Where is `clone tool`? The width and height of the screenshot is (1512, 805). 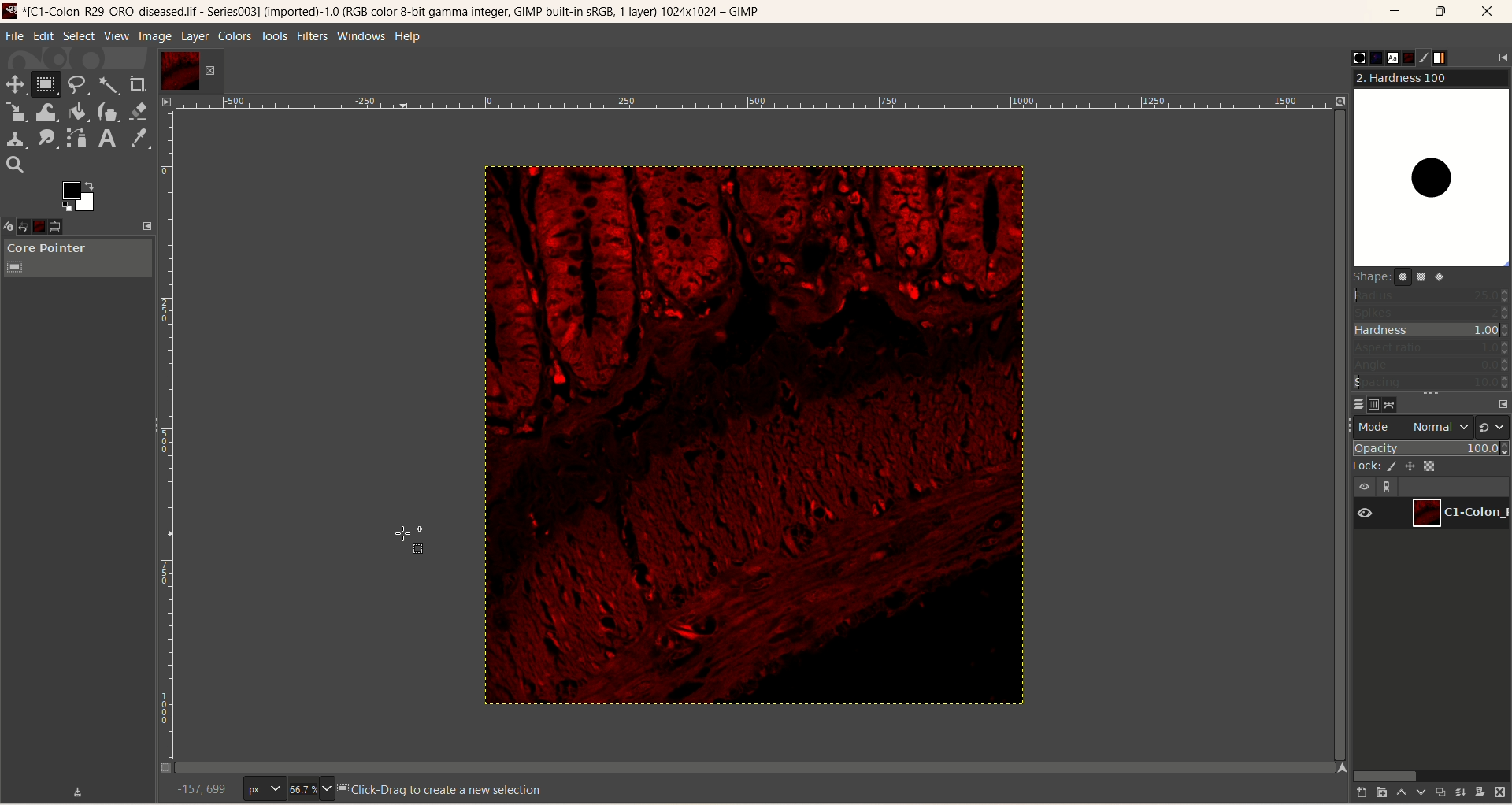 clone tool is located at coordinates (14, 138).